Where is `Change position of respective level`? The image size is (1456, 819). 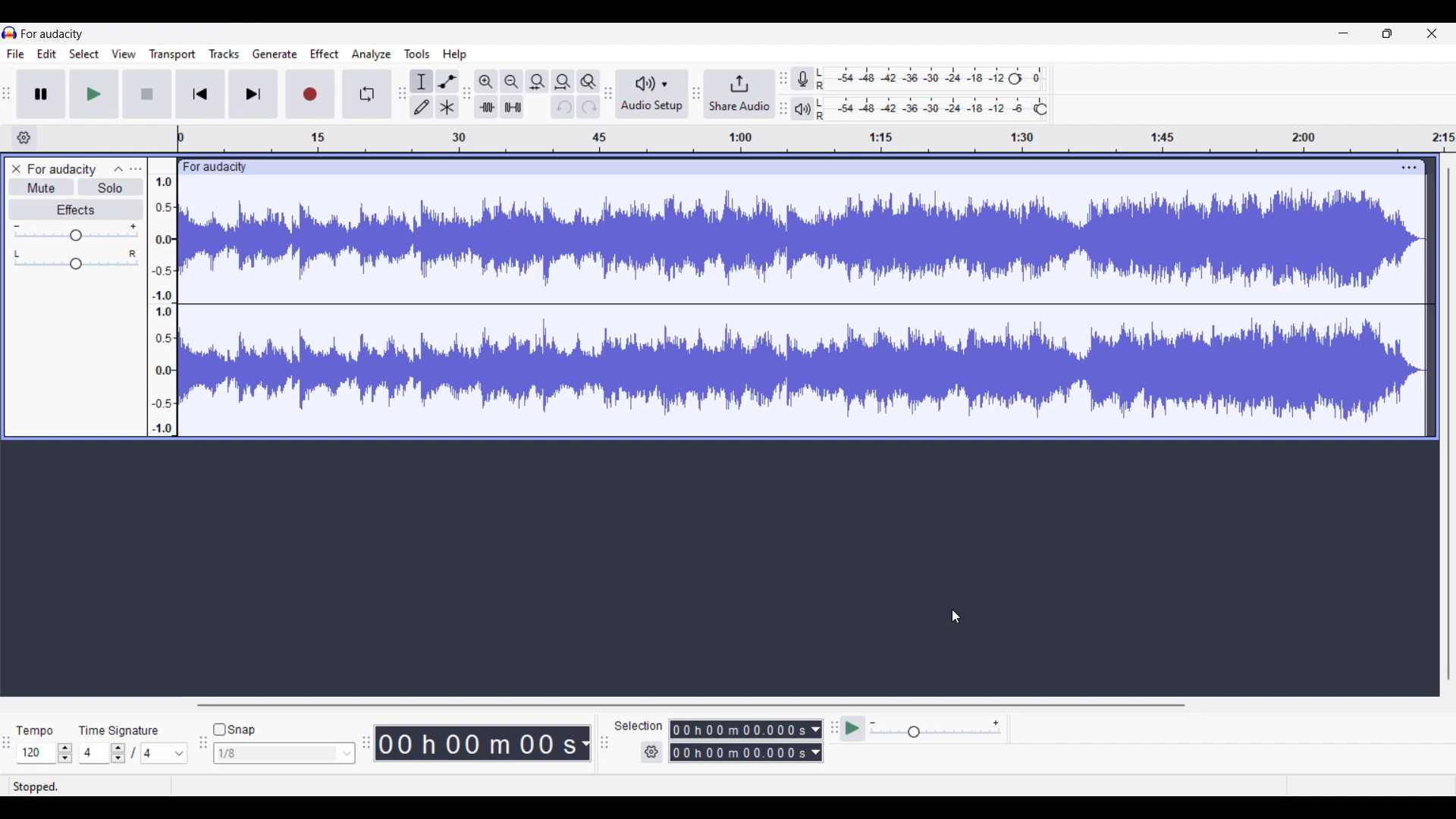 Change position of respective level is located at coordinates (783, 93).